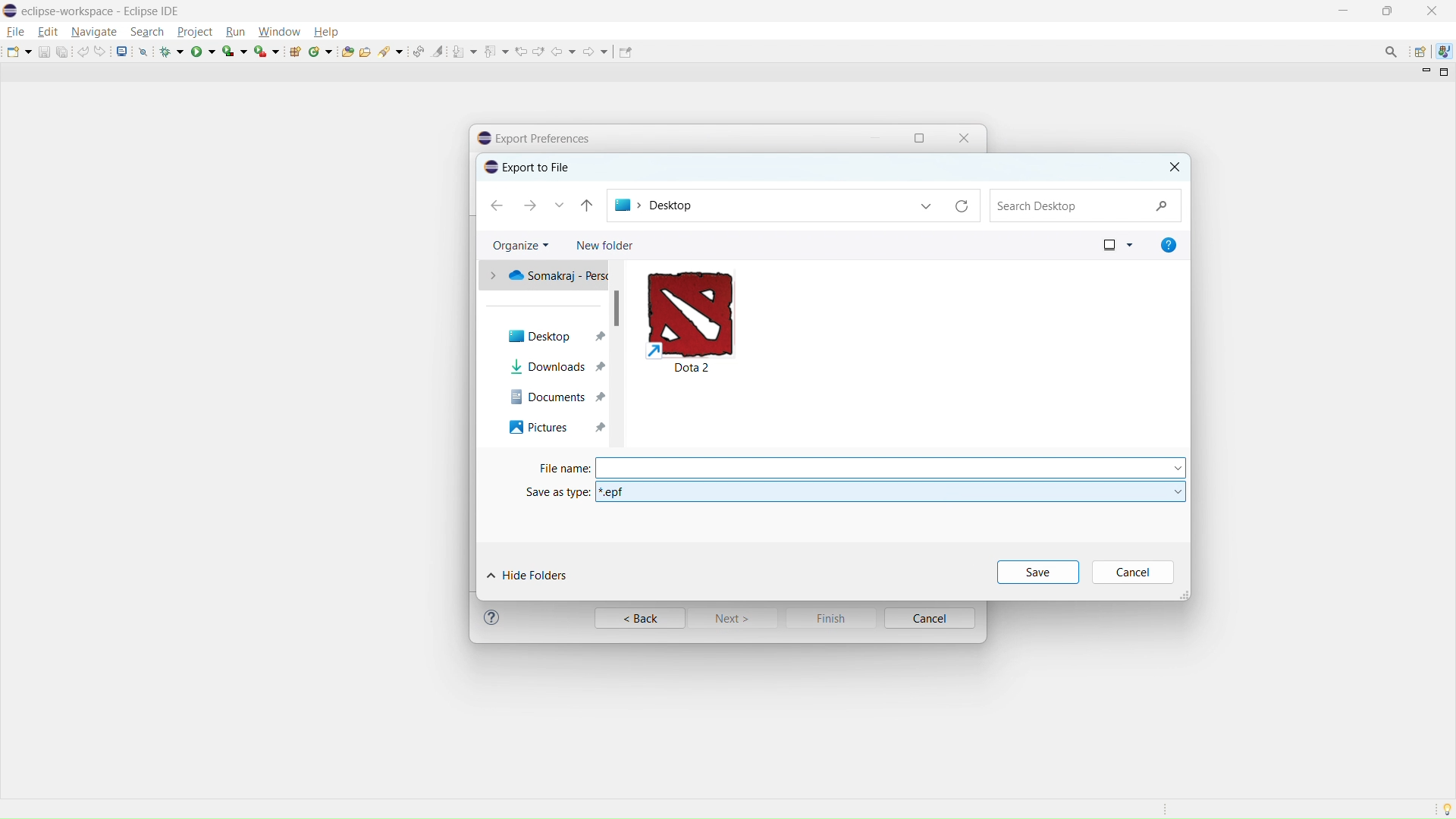 This screenshot has height=819, width=1456. Describe the element at coordinates (93, 33) in the screenshot. I see `navigate` at that location.